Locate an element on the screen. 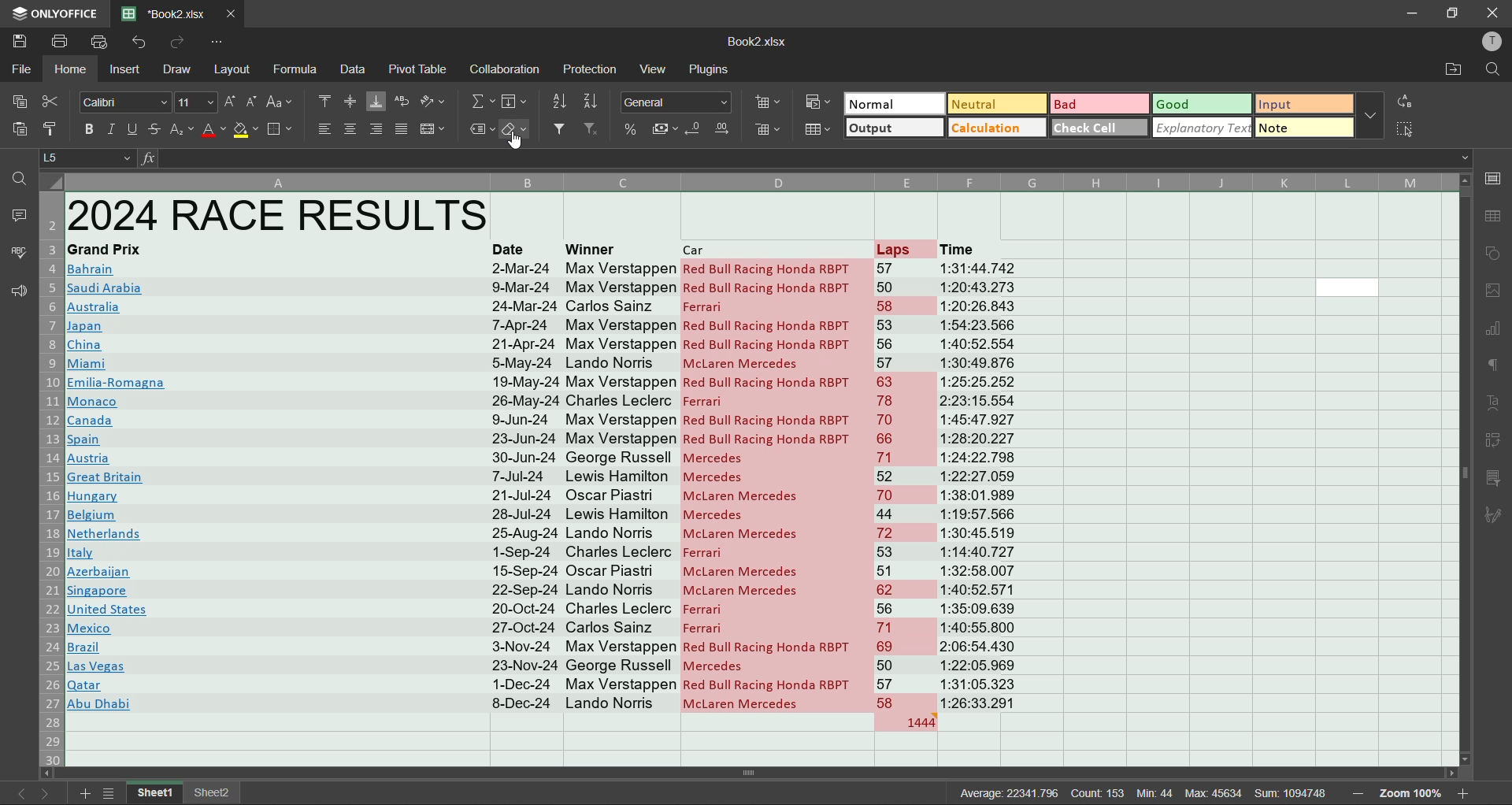 This screenshot has height=805, width=1512. bold is located at coordinates (86, 129).